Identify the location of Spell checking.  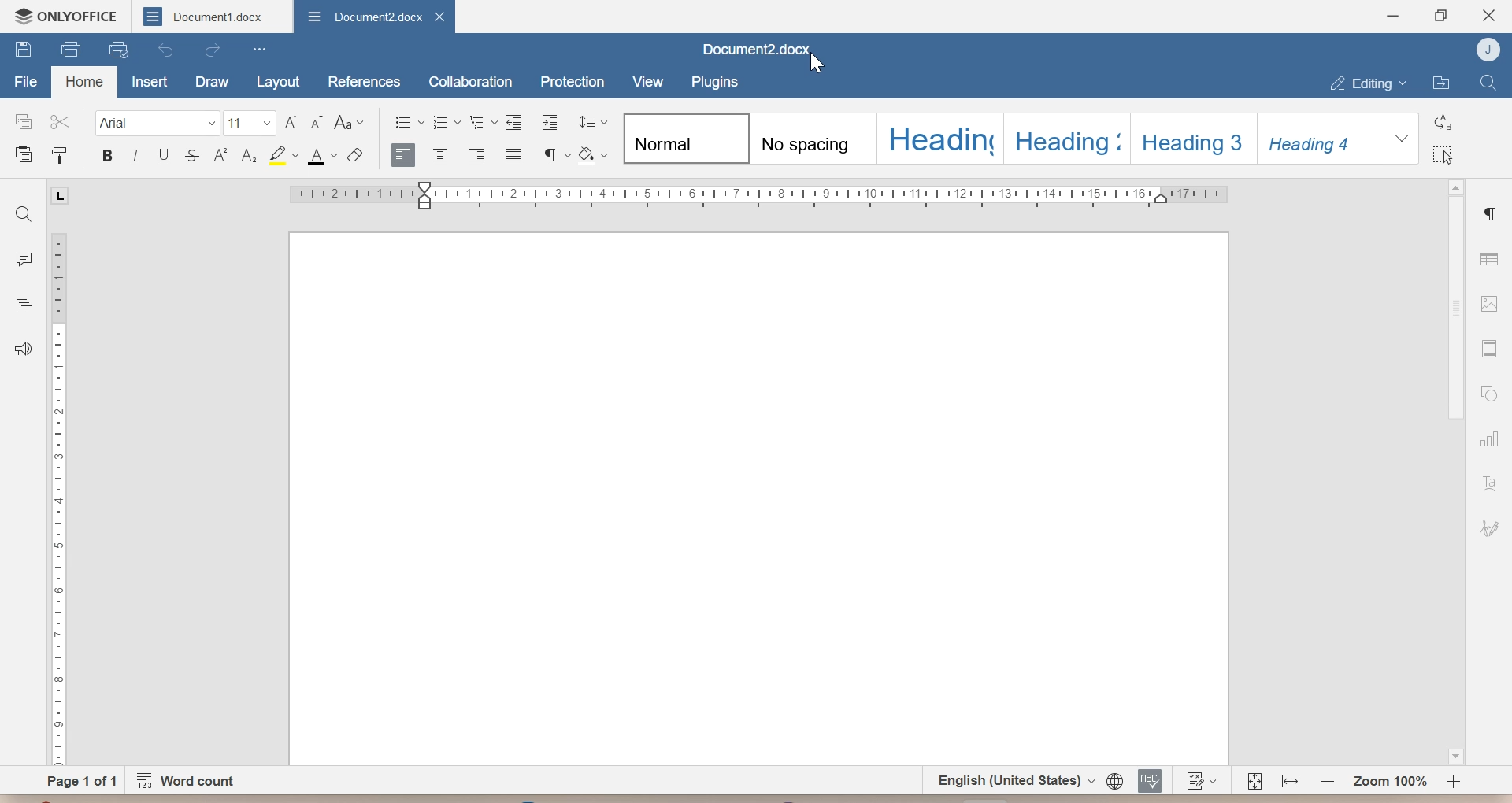
(1151, 779).